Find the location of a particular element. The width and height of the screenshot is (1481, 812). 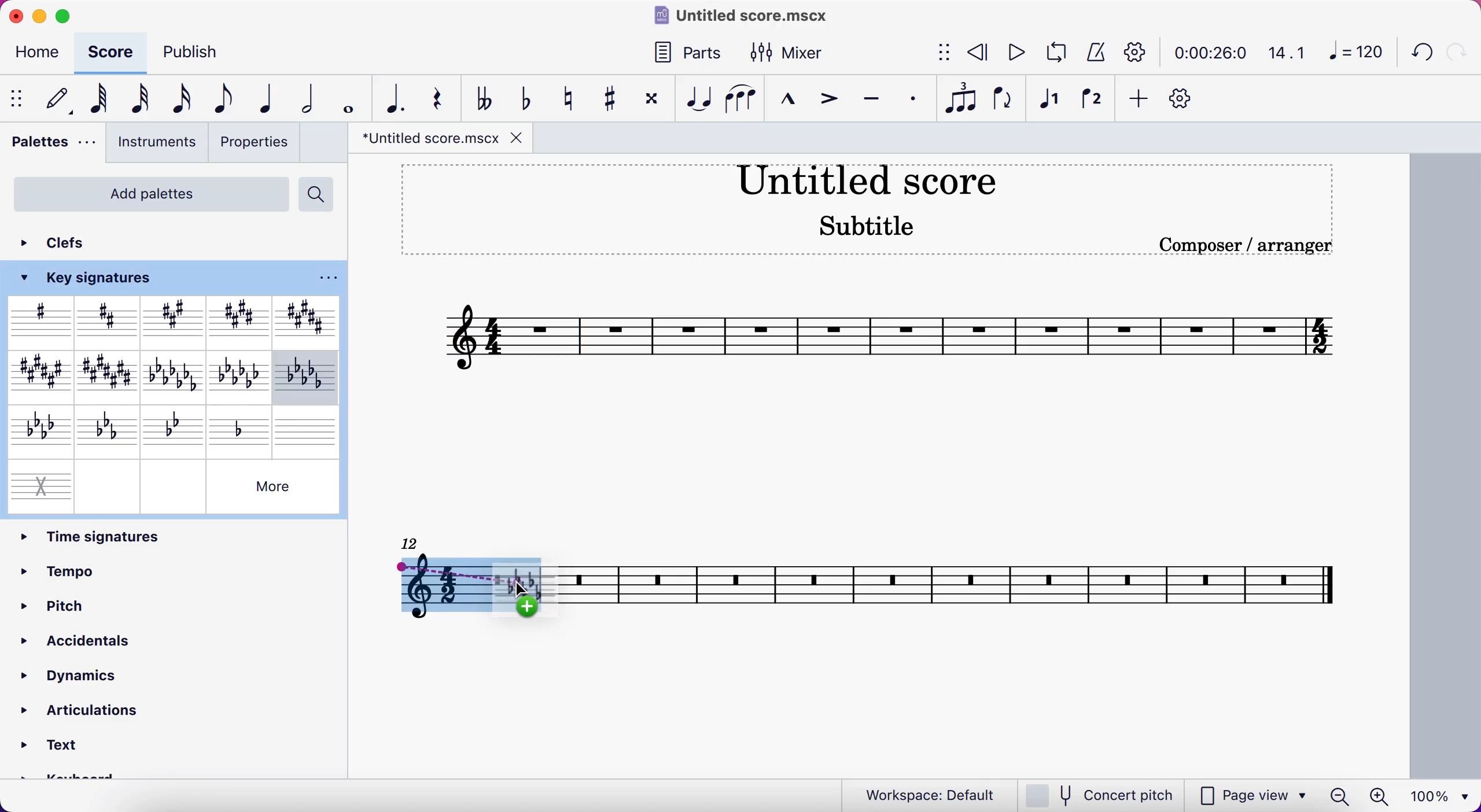

tie is located at coordinates (698, 101).